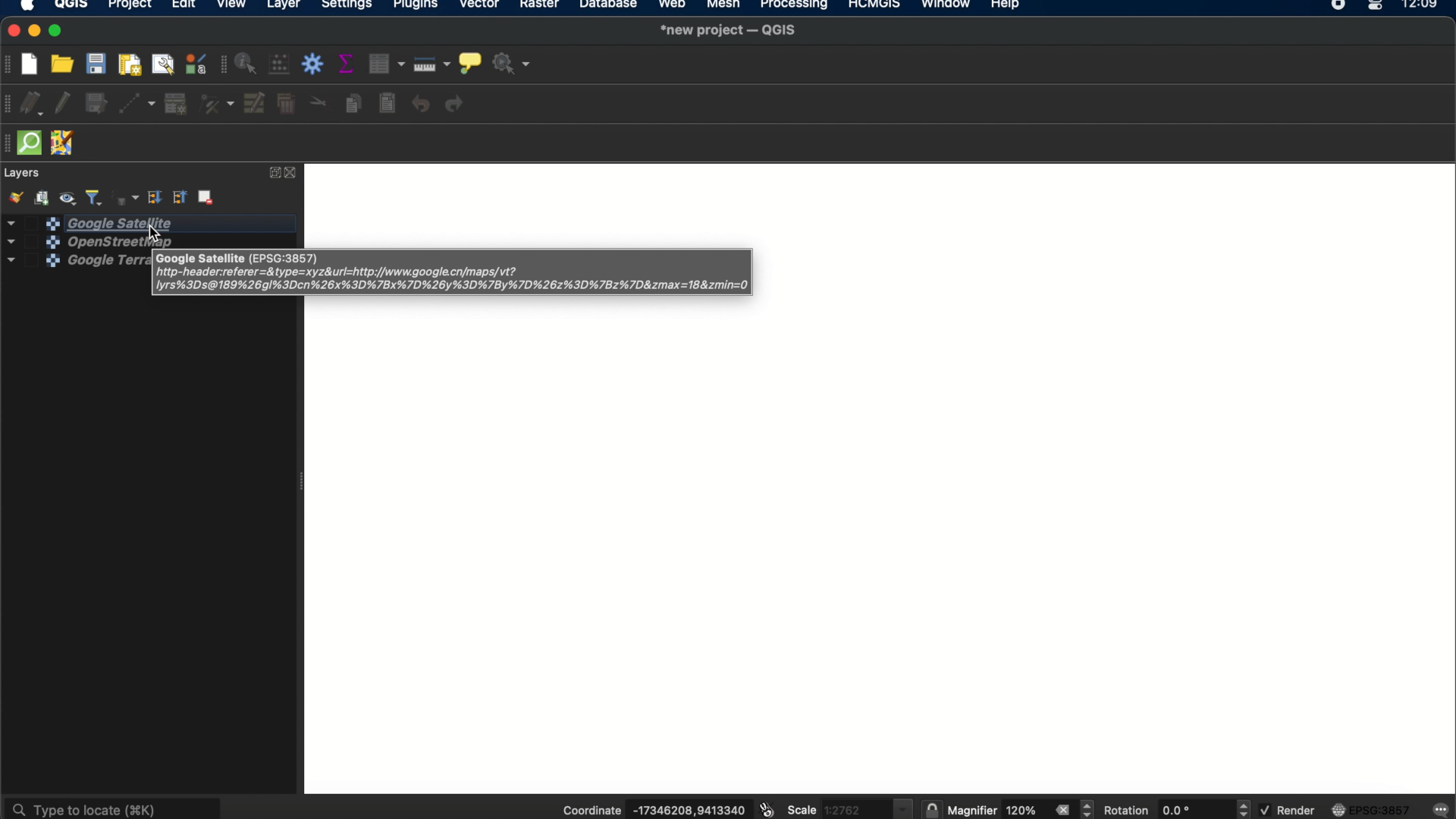  What do you see at coordinates (481, 7) in the screenshot?
I see `vector` at bounding box center [481, 7].